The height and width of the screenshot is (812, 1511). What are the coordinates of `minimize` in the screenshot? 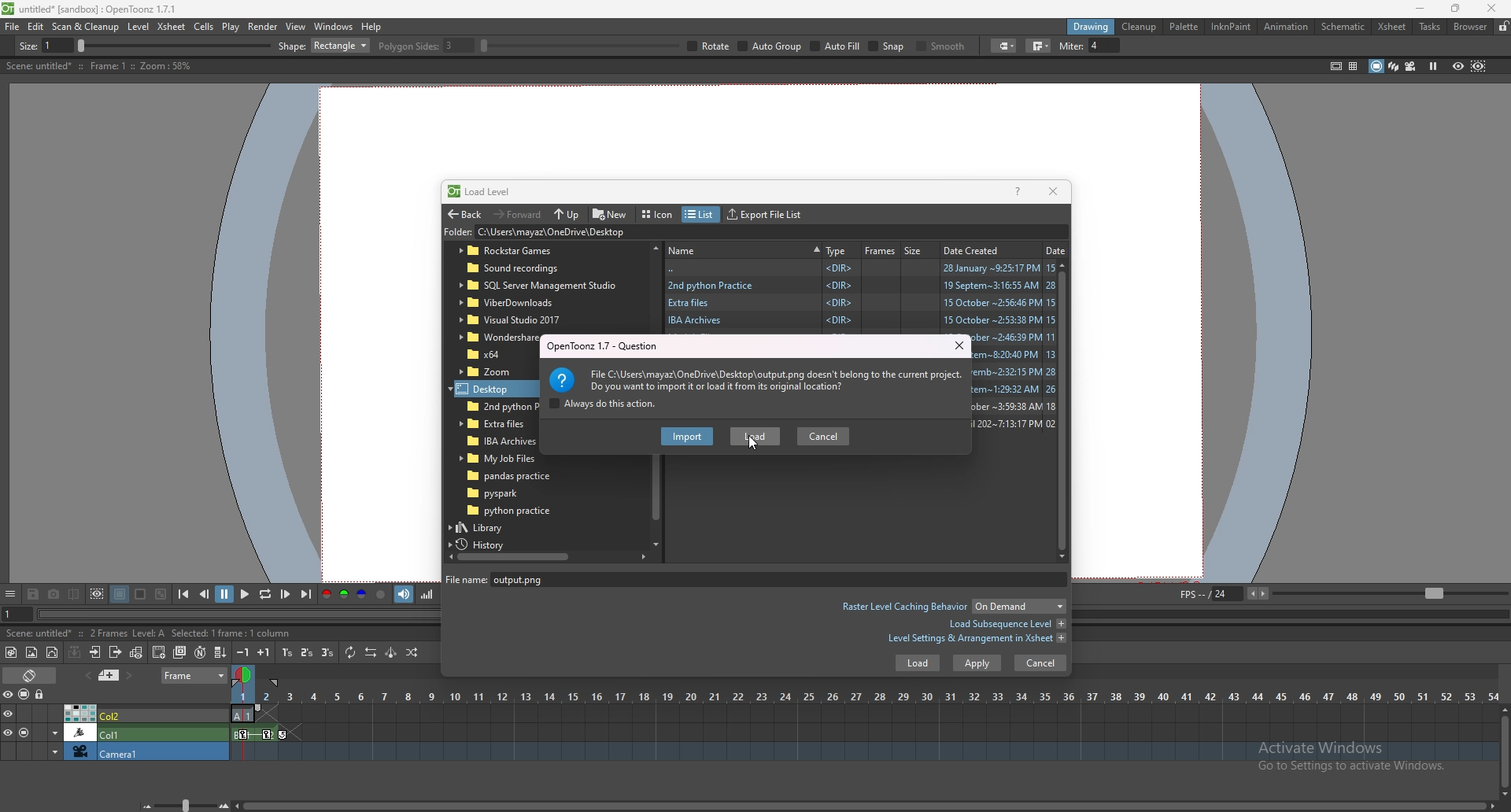 It's located at (1420, 9).